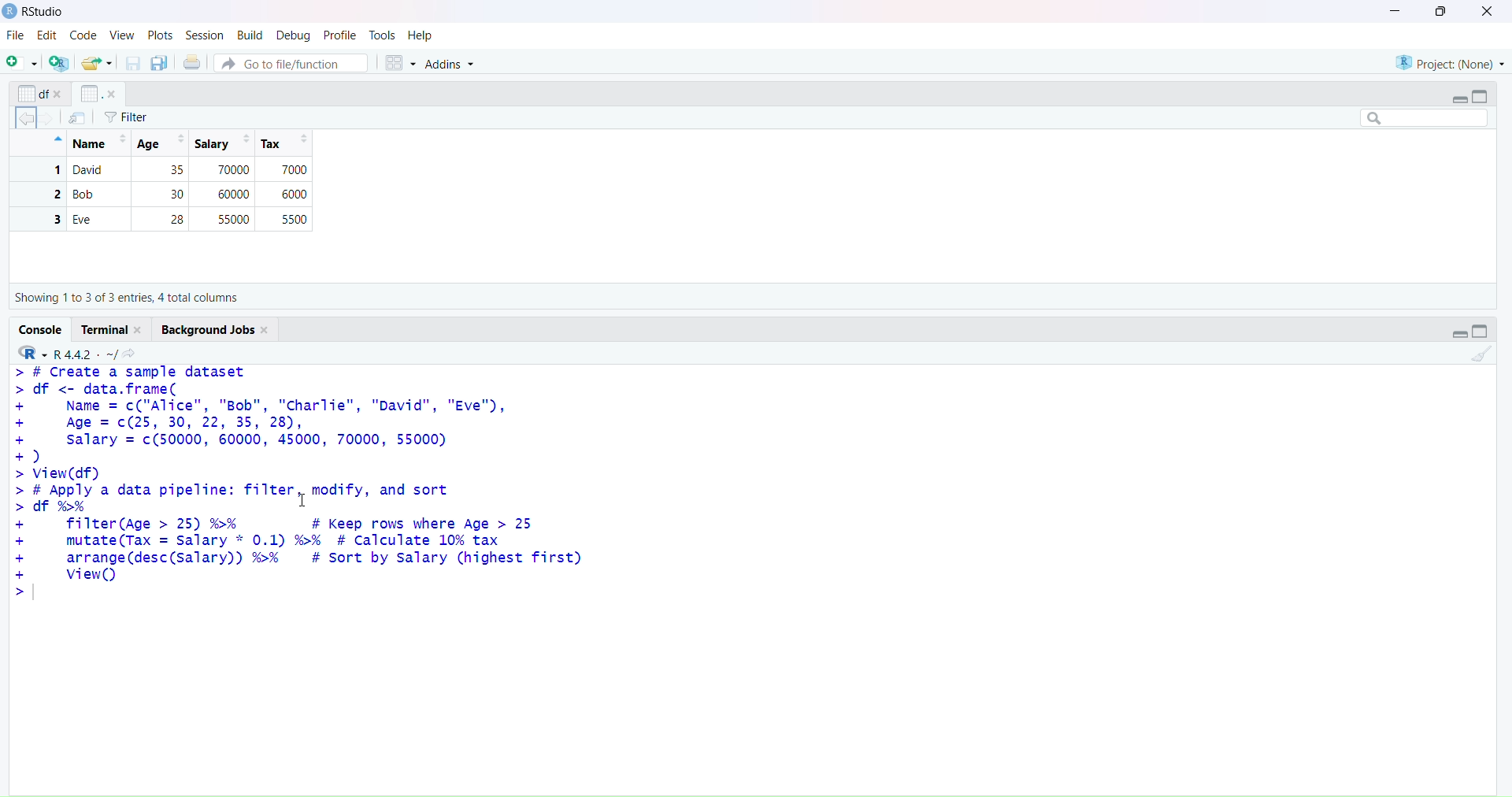 This screenshot has width=1512, height=797. Describe the element at coordinates (160, 35) in the screenshot. I see `plots` at that location.